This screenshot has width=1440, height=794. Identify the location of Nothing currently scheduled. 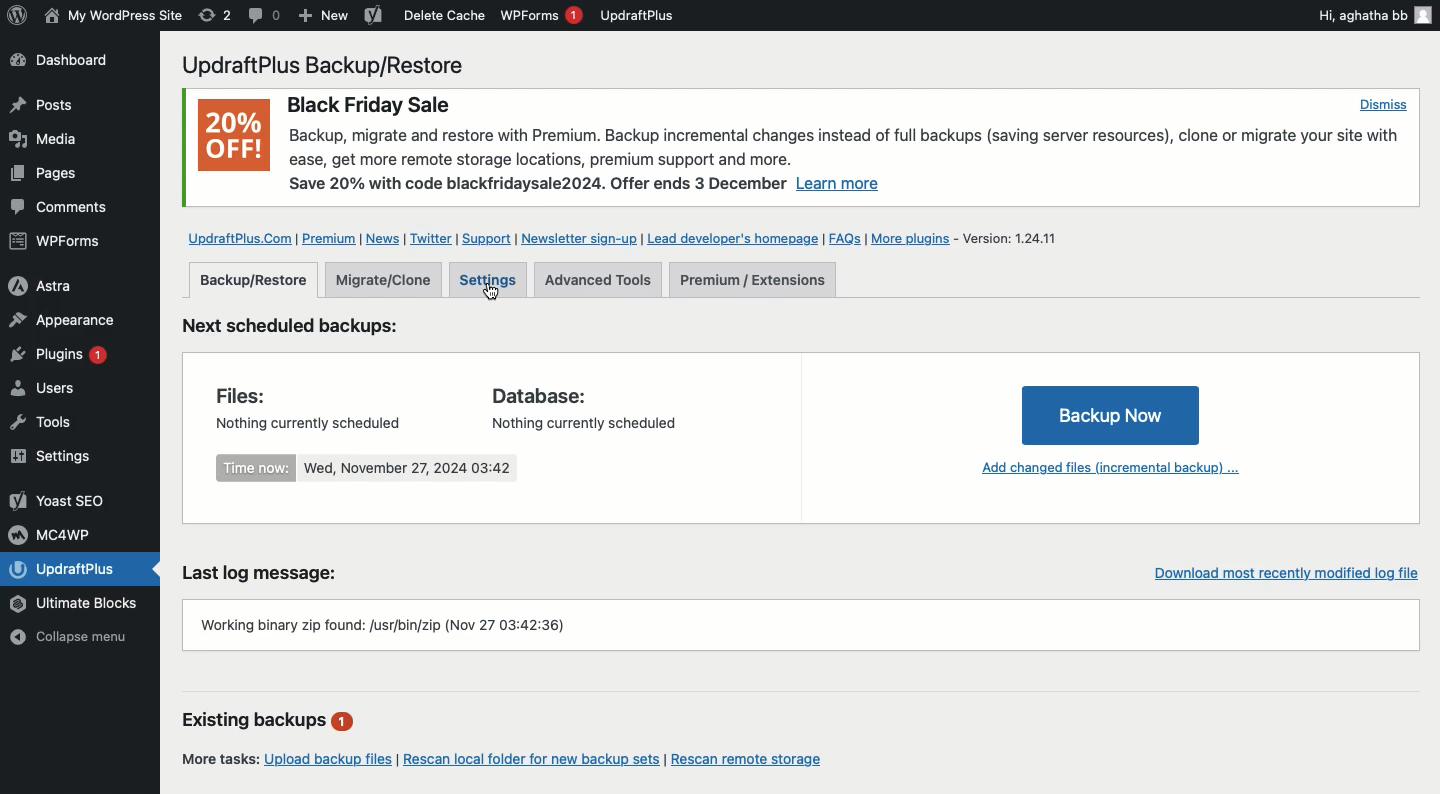
(451, 422).